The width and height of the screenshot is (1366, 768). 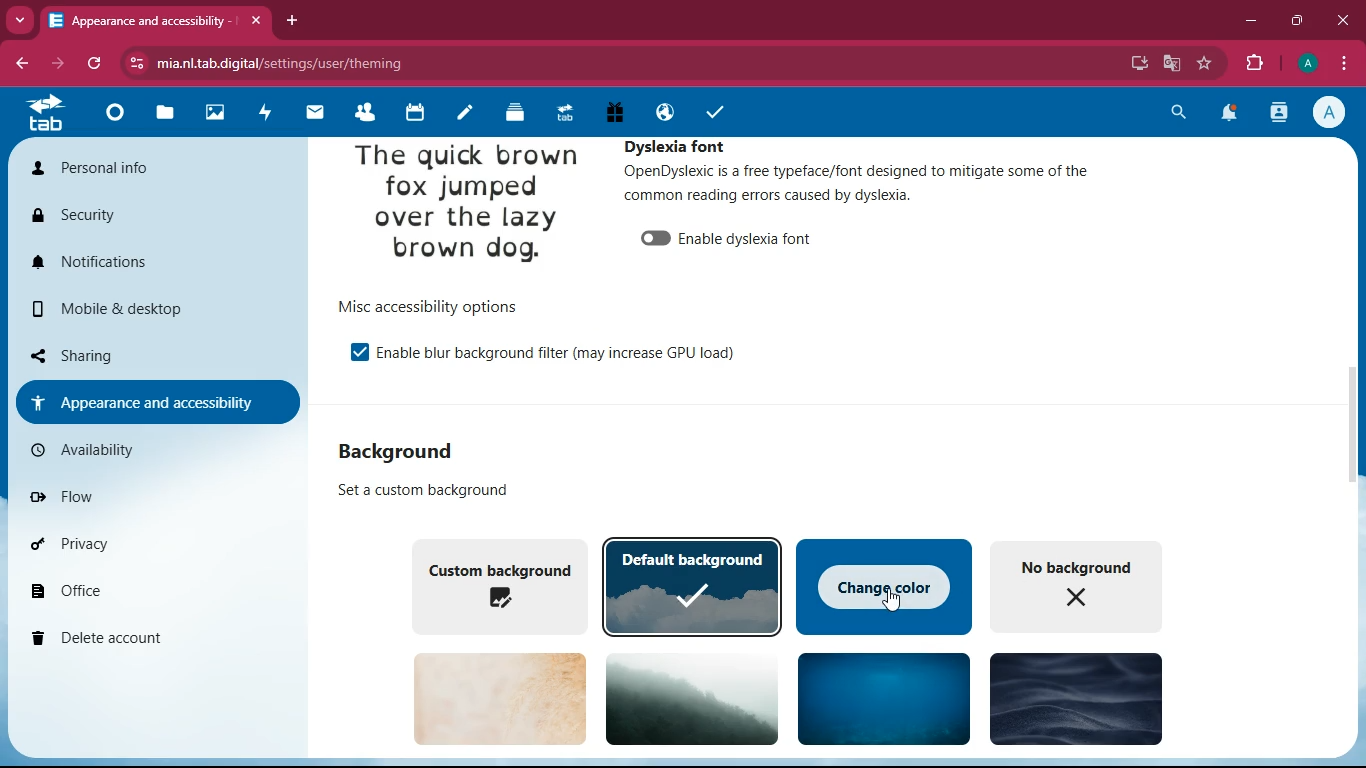 I want to click on back, so click(x=24, y=64).